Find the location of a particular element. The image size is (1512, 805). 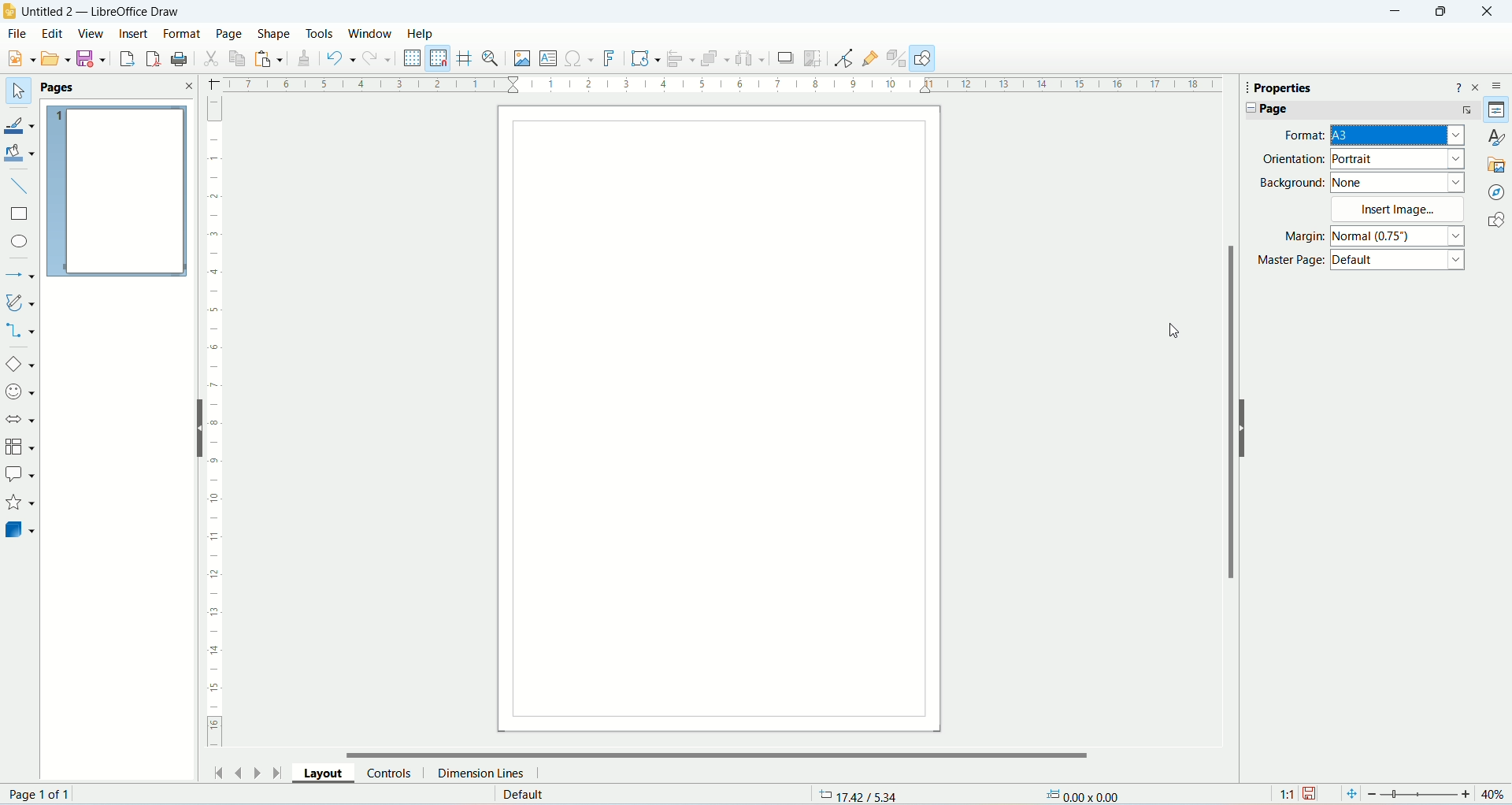

arrange is located at coordinates (715, 60).